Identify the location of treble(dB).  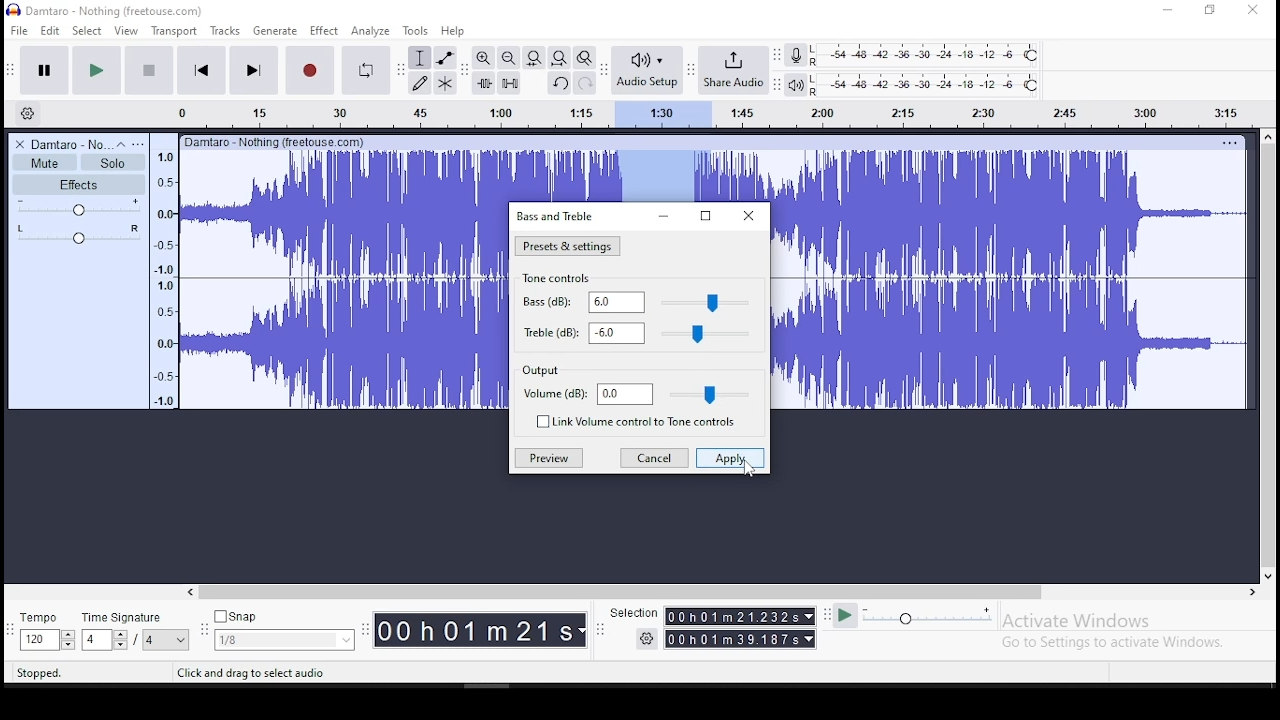
(548, 331).